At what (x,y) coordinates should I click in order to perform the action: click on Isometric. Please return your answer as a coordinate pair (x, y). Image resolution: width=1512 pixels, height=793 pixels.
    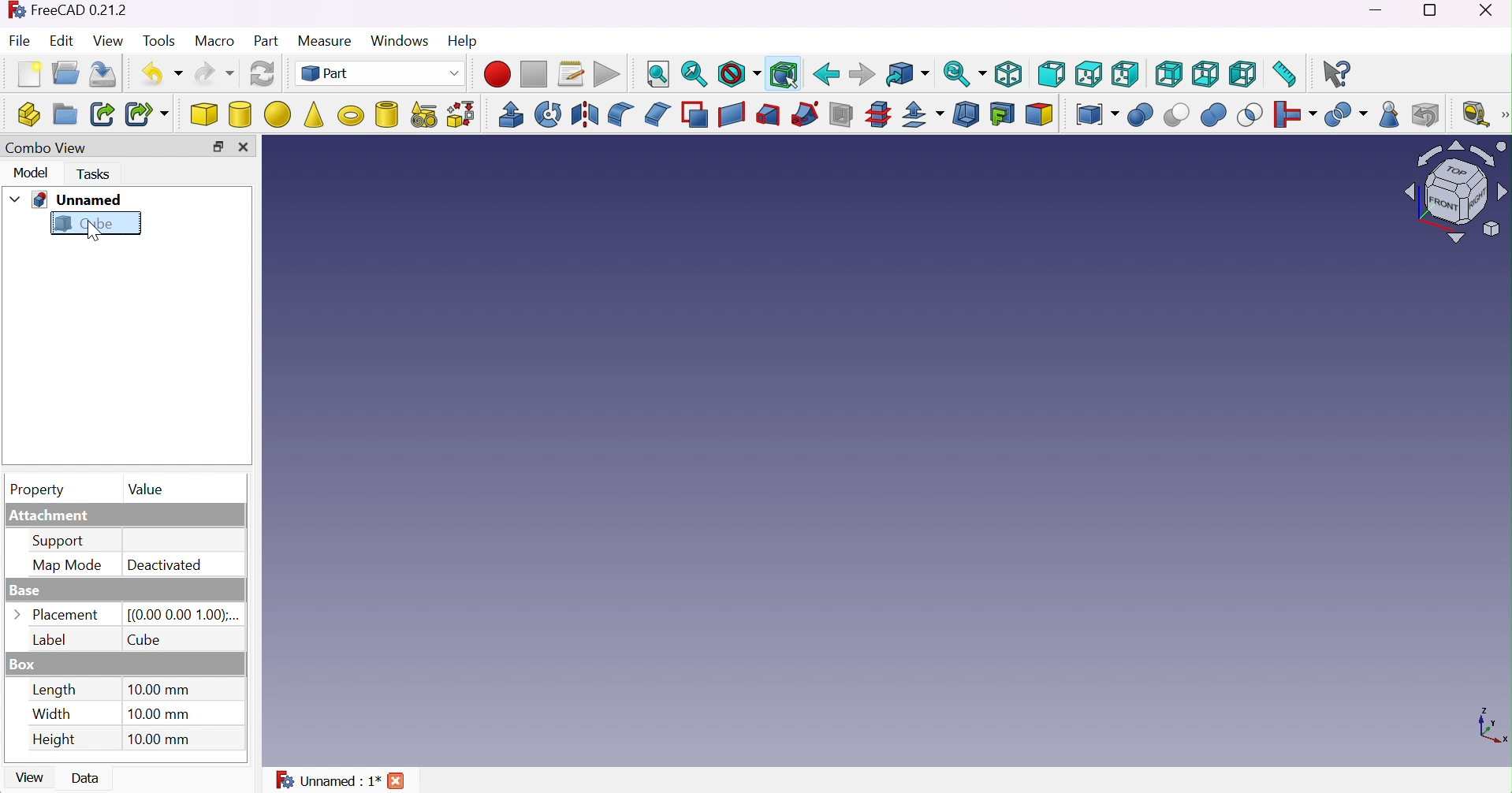
    Looking at the image, I should click on (1009, 77).